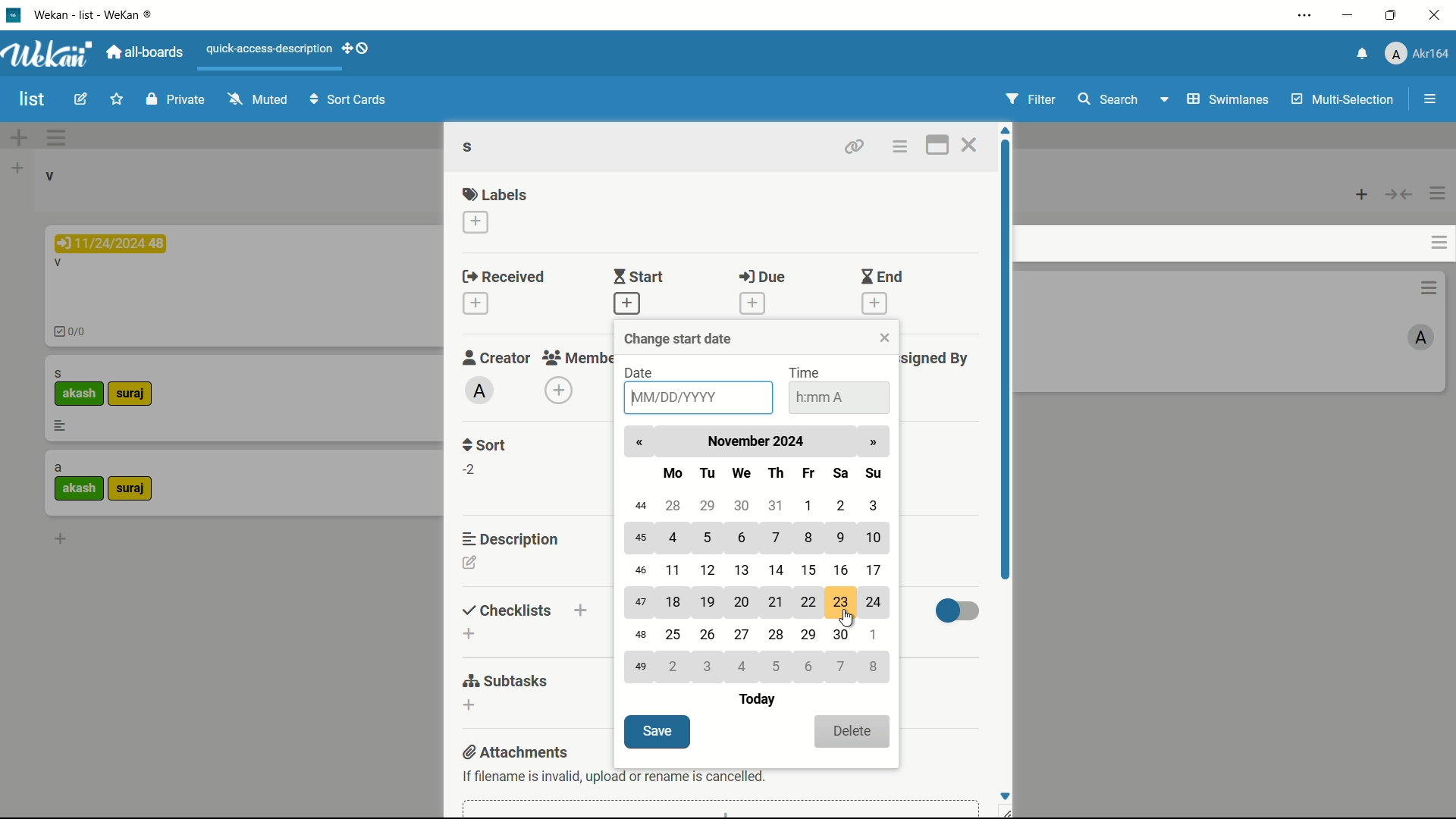 Image resolution: width=1456 pixels, height=819 pixels. Describe the element at coordinates (80, 488) in the screenshot. I see `label-1` at that location.